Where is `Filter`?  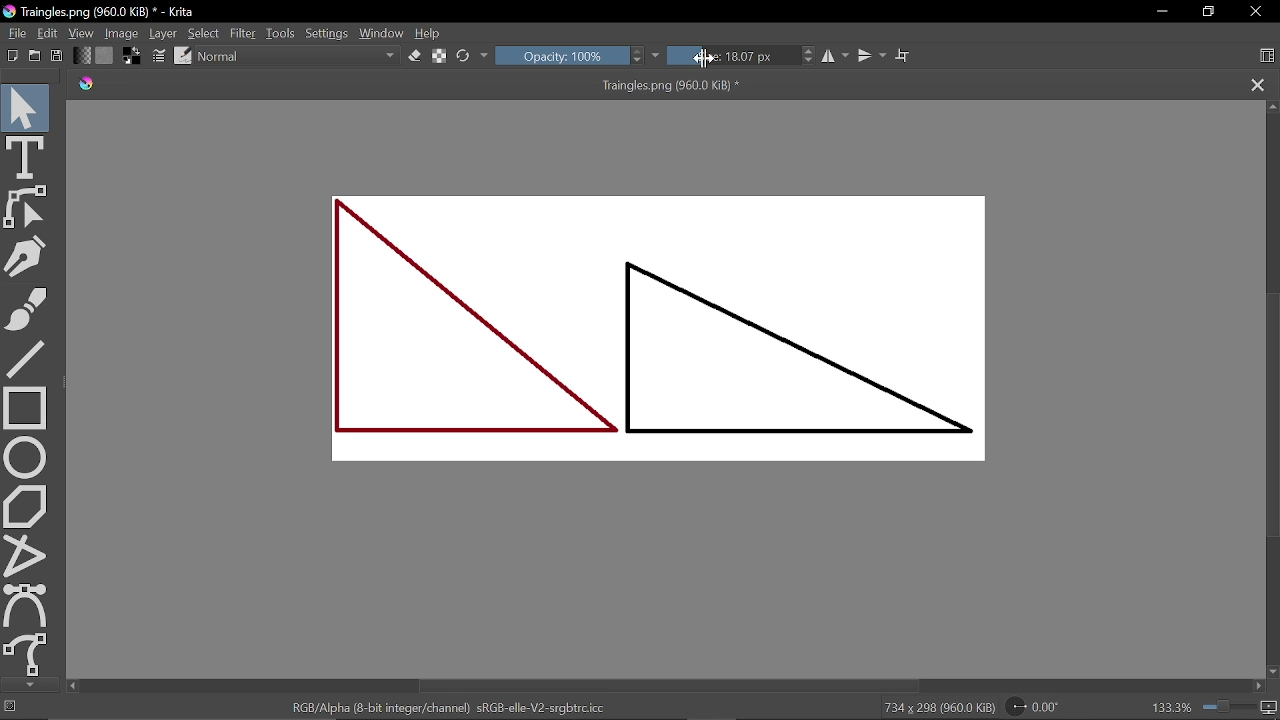
Filter is located at coordinates (245, 33).